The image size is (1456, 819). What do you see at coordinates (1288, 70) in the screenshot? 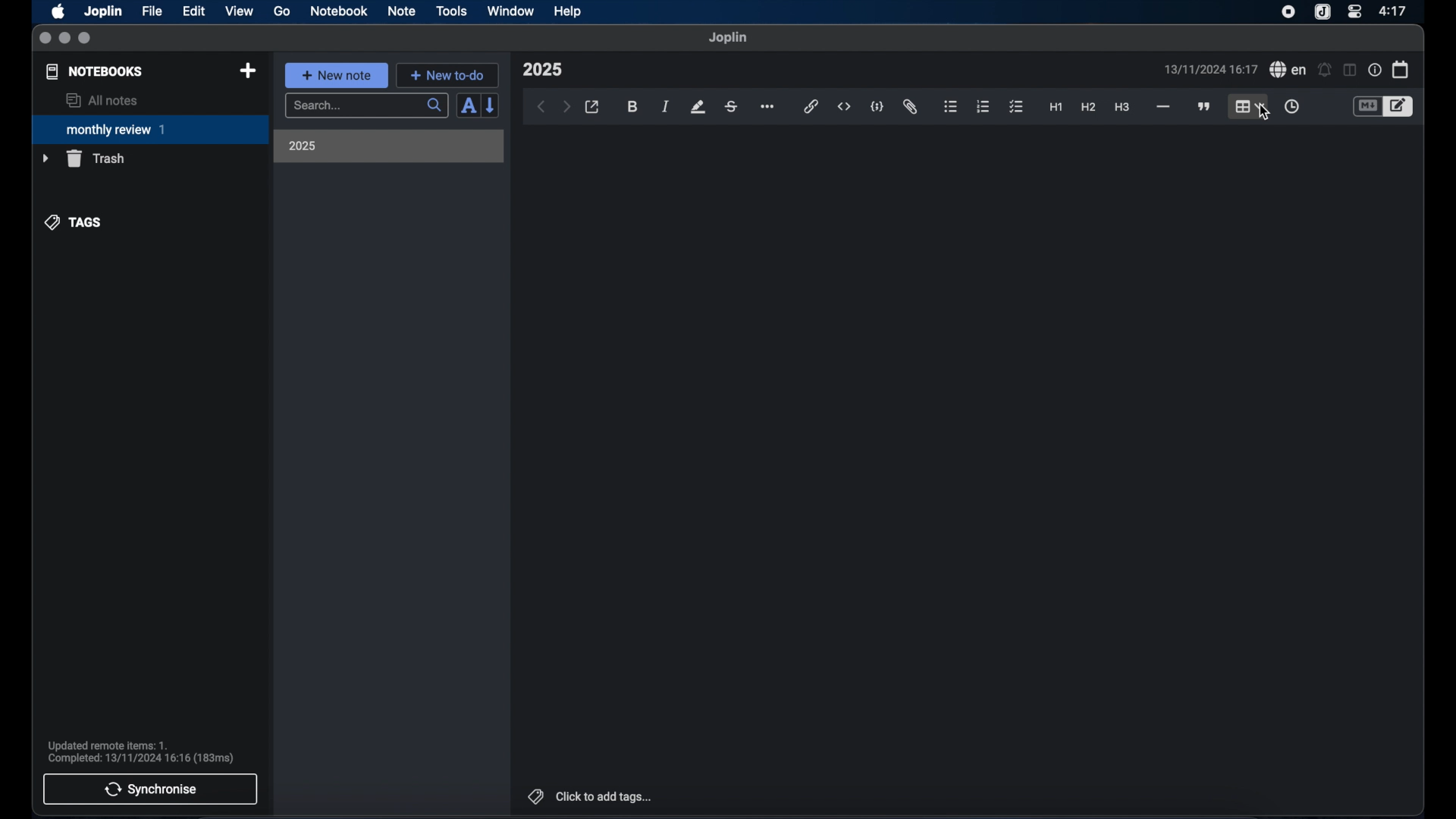
I see `spel check` at bounding box center [1288, 70].